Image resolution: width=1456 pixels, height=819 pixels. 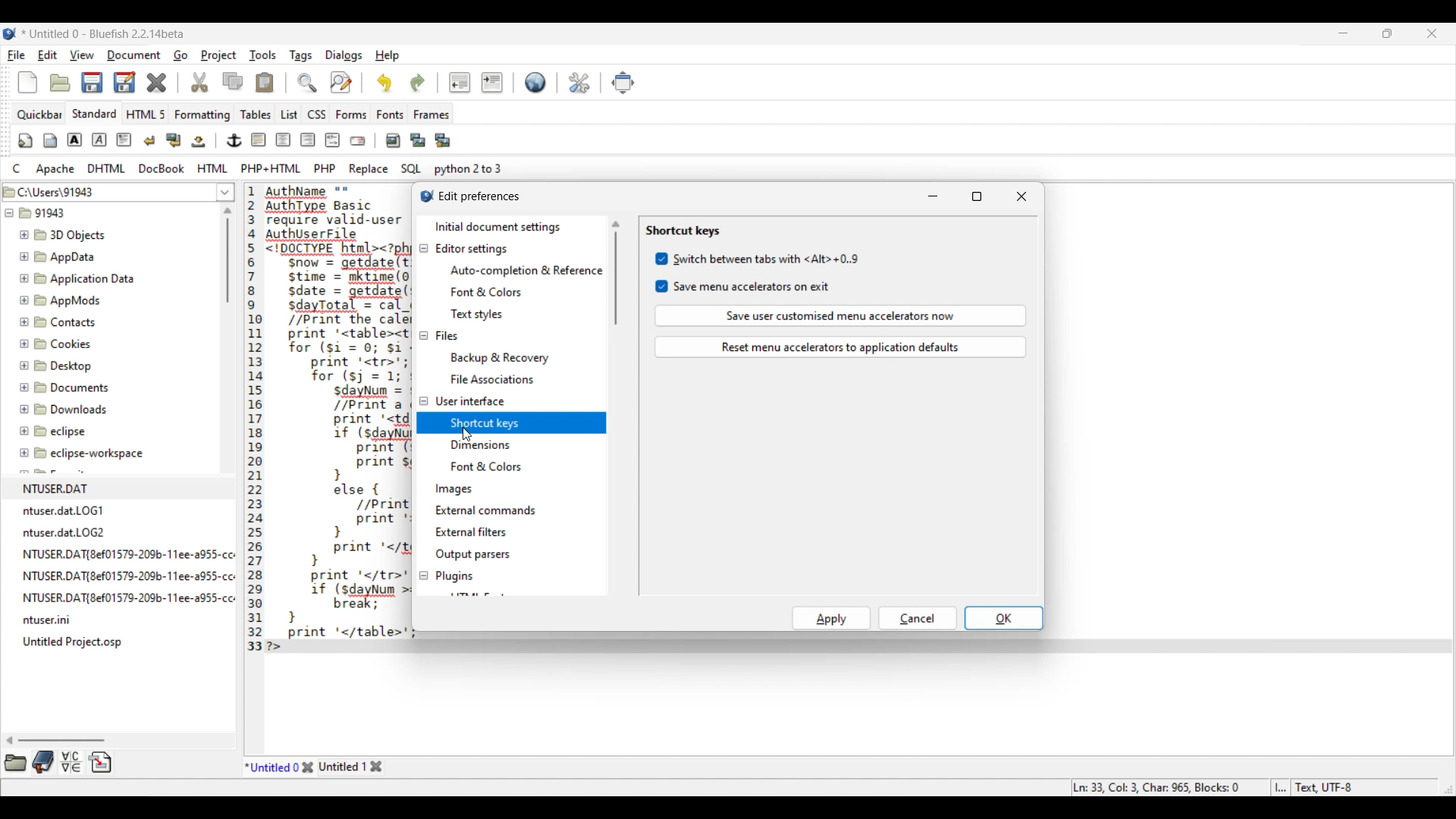 I want to click on Cut, so click(x=199, y=83).